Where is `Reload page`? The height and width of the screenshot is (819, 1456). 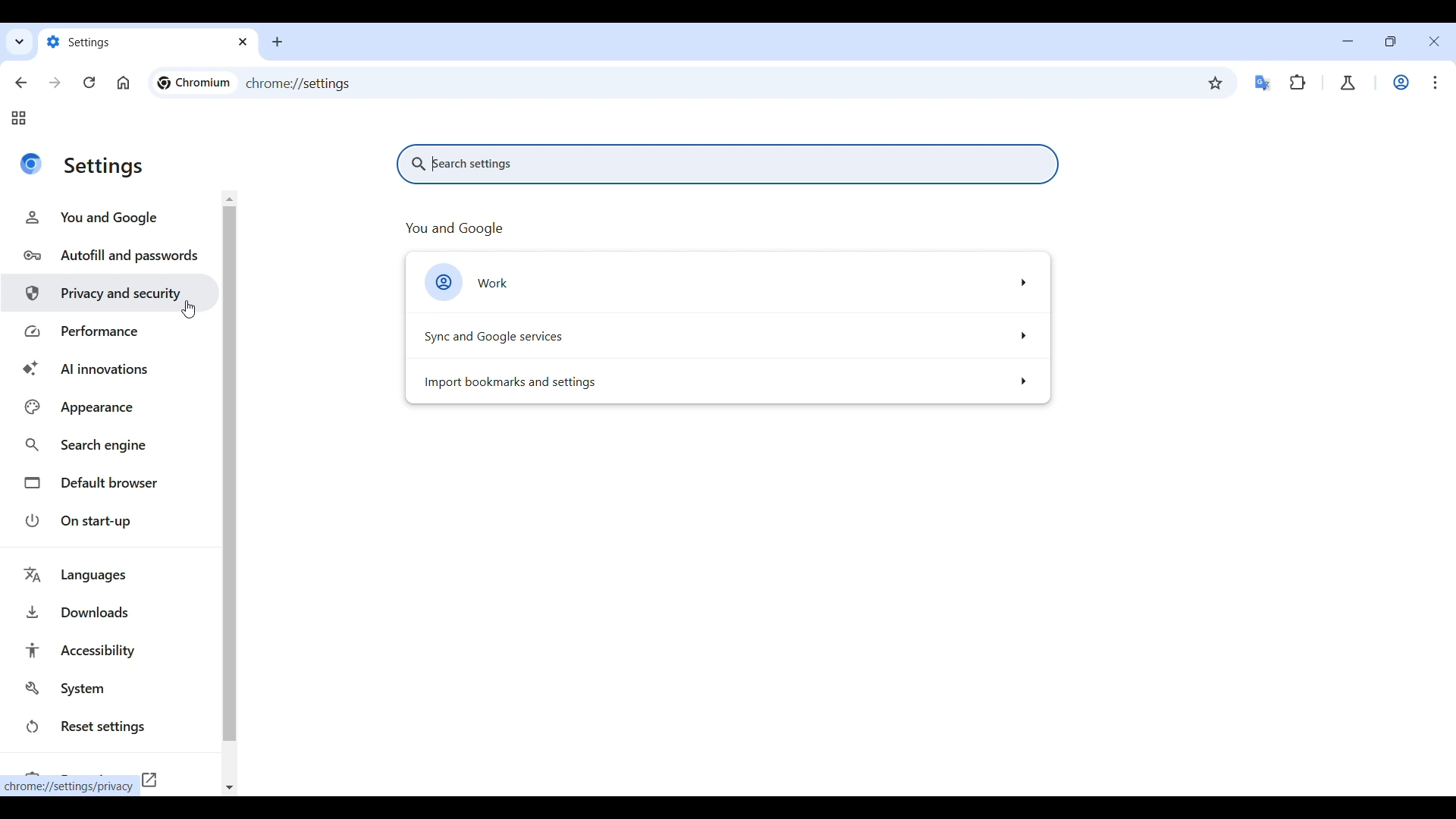 Reload page is located at coordinates (89, 82).